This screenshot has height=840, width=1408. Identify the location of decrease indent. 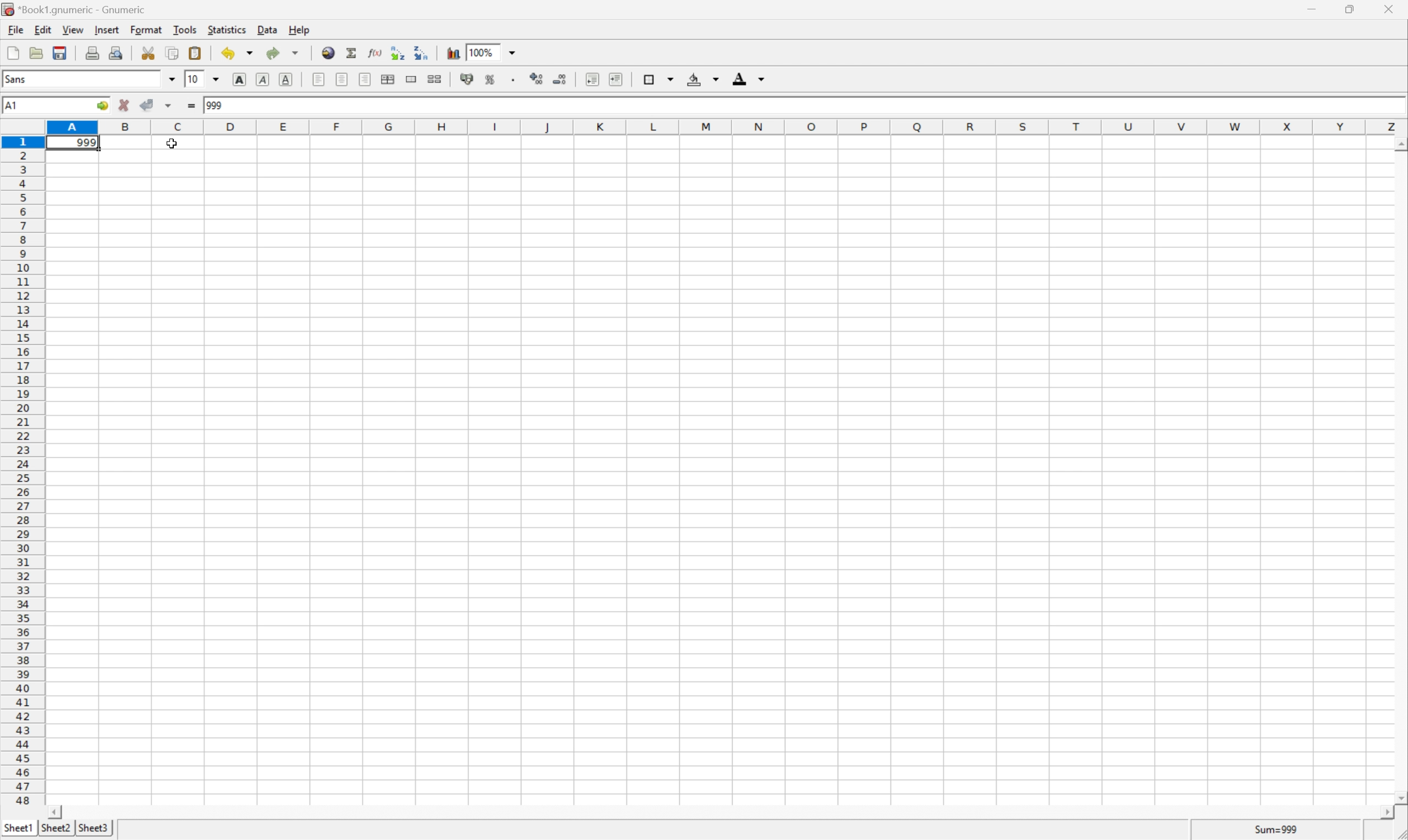
(592, 80).